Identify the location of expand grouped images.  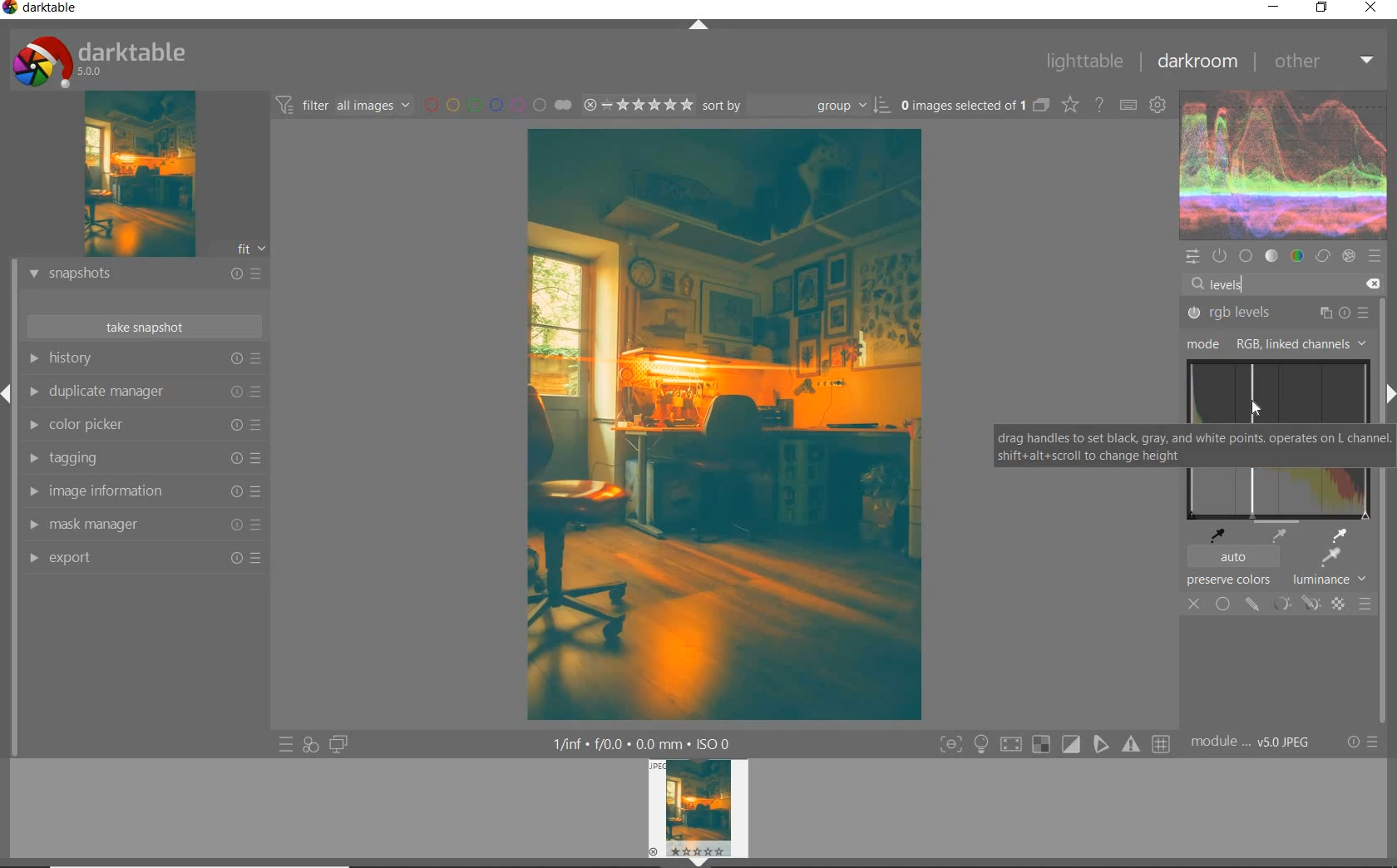
(975, 105).